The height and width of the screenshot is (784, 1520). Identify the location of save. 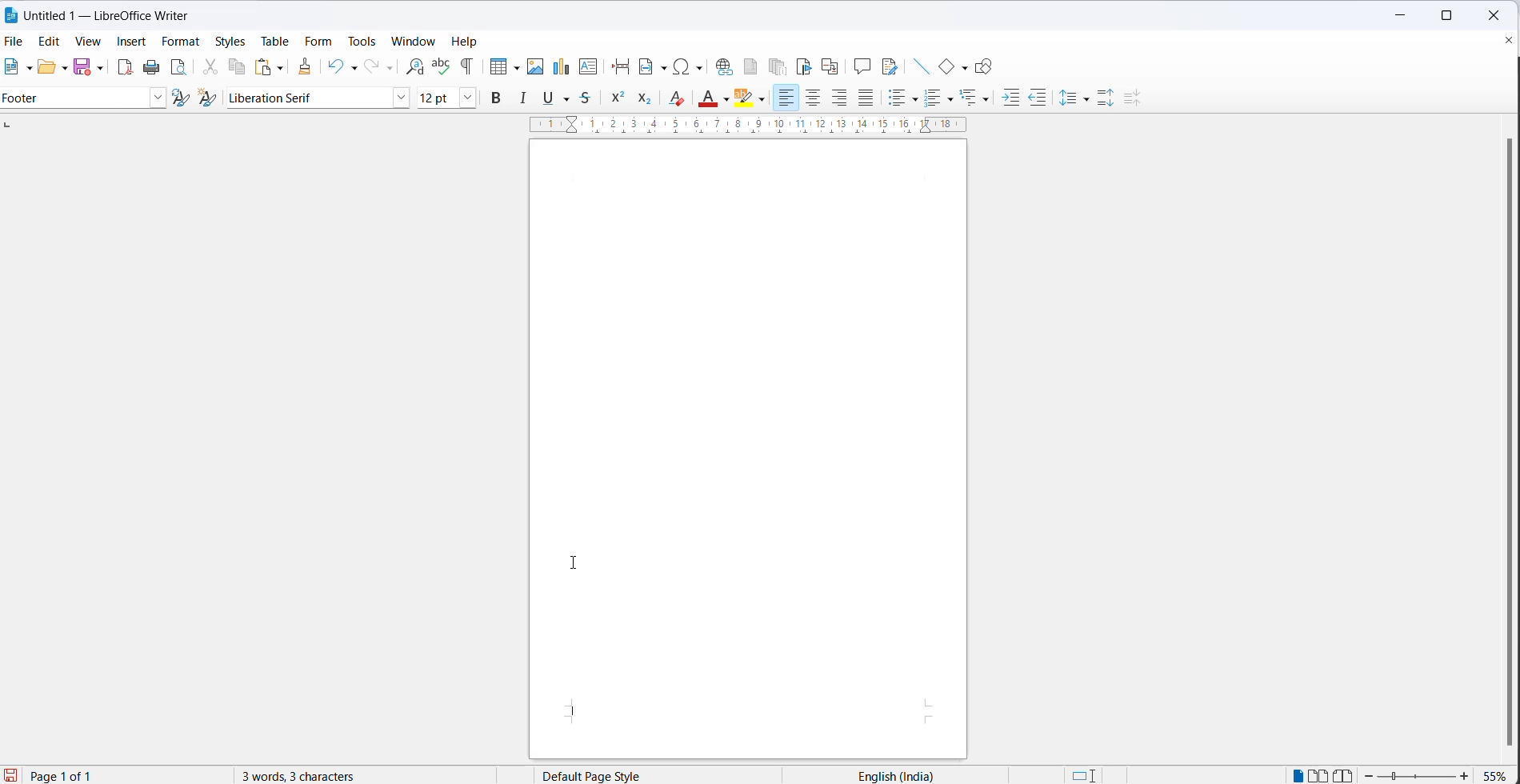
(10, 776).